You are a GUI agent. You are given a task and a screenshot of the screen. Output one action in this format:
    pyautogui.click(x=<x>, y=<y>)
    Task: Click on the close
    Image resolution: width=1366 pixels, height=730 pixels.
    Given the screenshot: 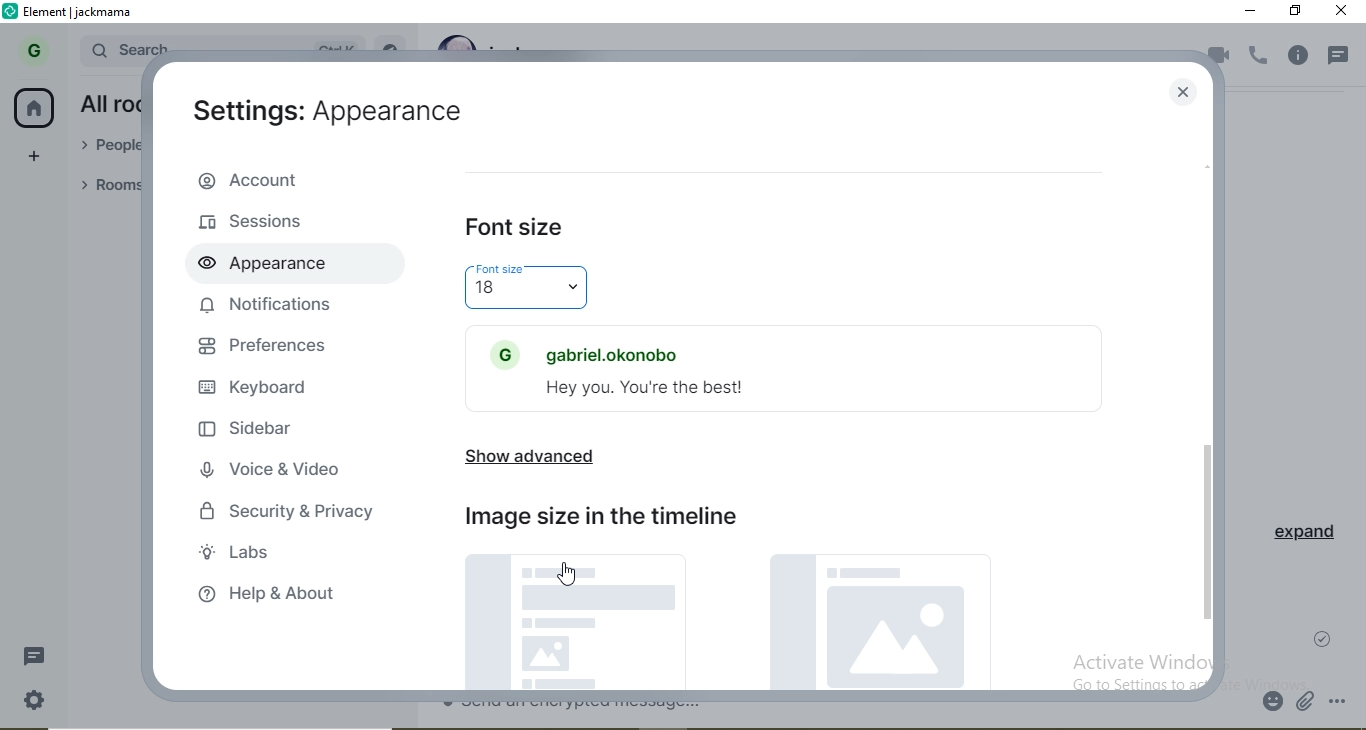 What is the action you would take?
    pyautogui.click(x=1184, y=93)
    